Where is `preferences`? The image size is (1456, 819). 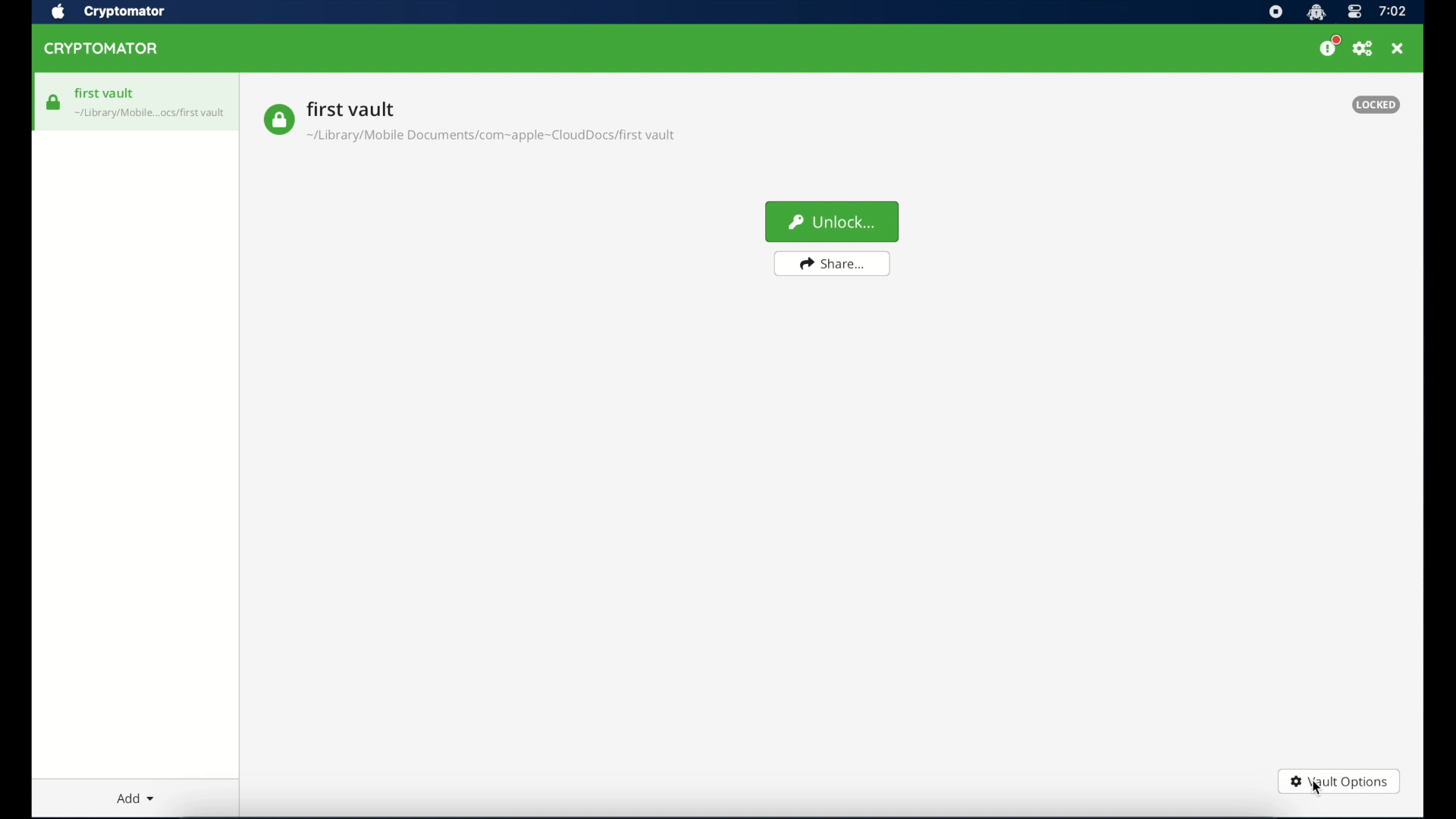
preferences is located at coordinates (1363, 49).